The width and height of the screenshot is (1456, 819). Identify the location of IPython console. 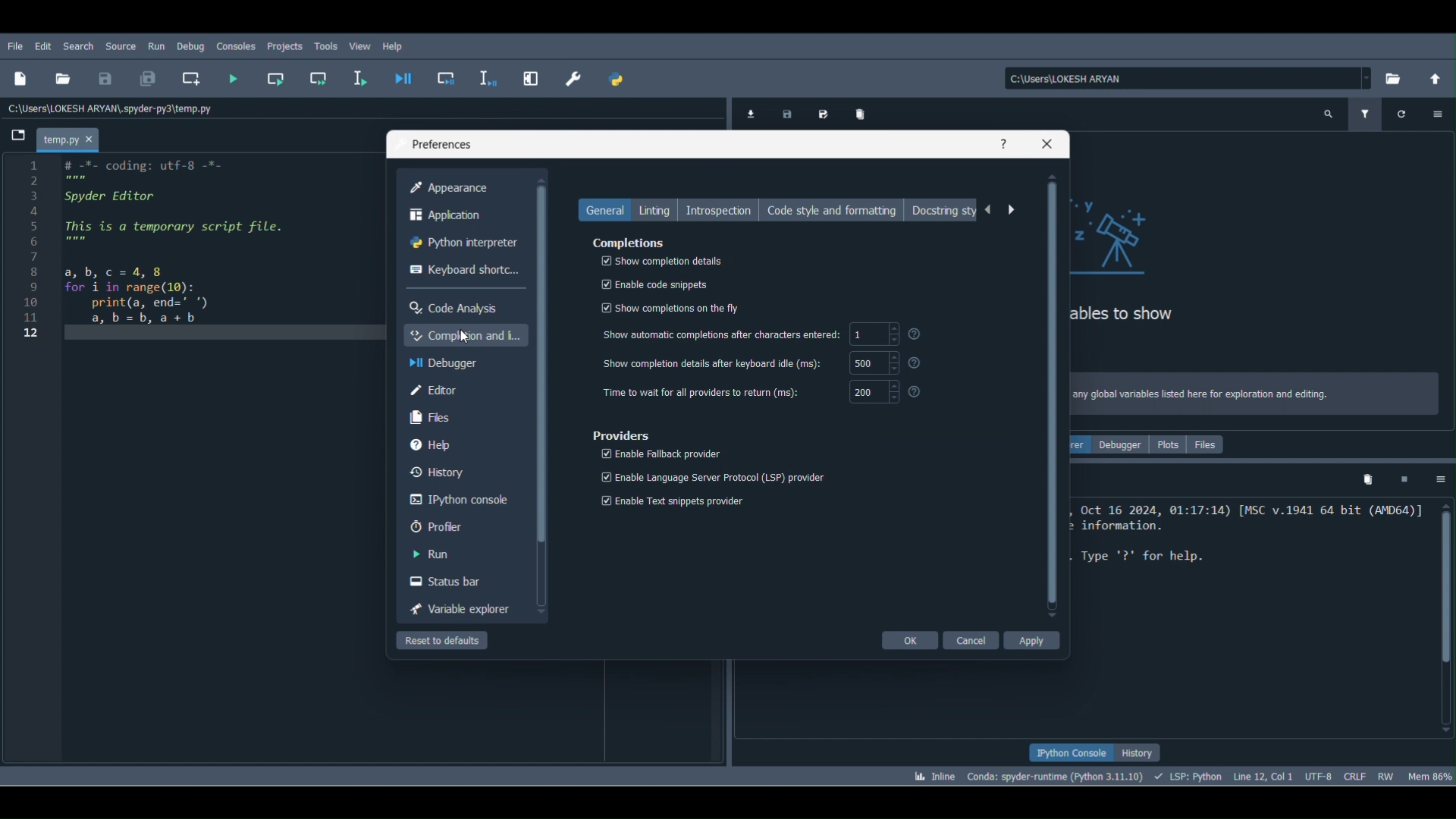
(1063, 752).